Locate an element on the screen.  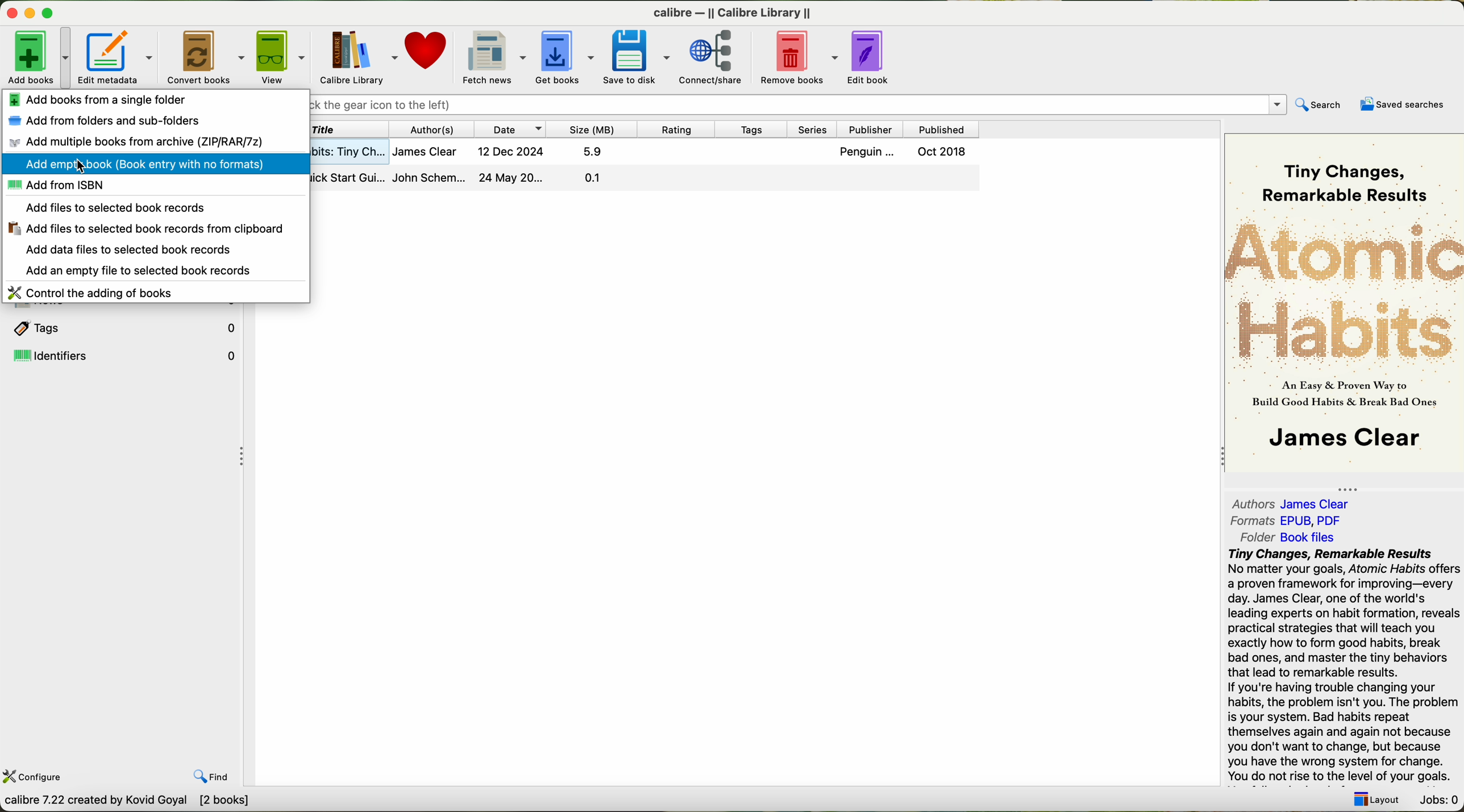
saved searches is located at coordinates (1401, 104).